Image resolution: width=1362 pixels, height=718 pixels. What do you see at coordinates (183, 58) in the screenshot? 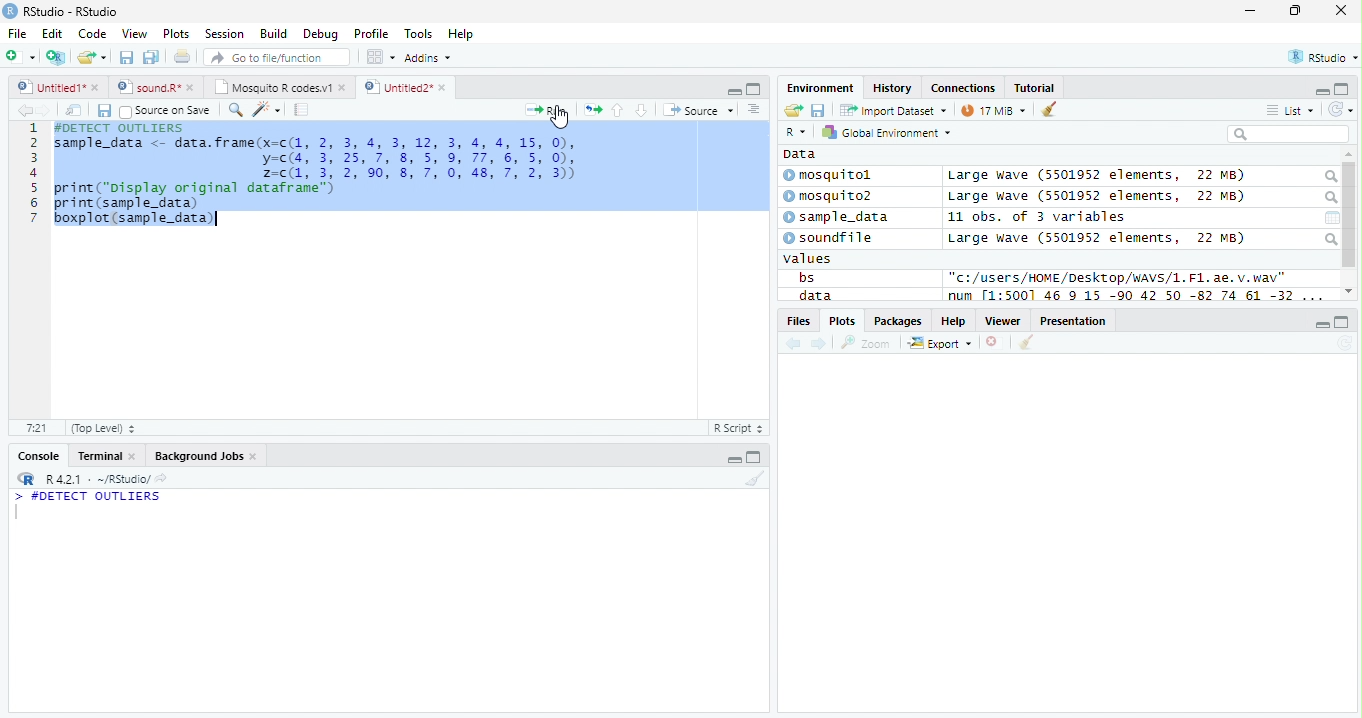
I see `Print` at bounding box center [183, 58].